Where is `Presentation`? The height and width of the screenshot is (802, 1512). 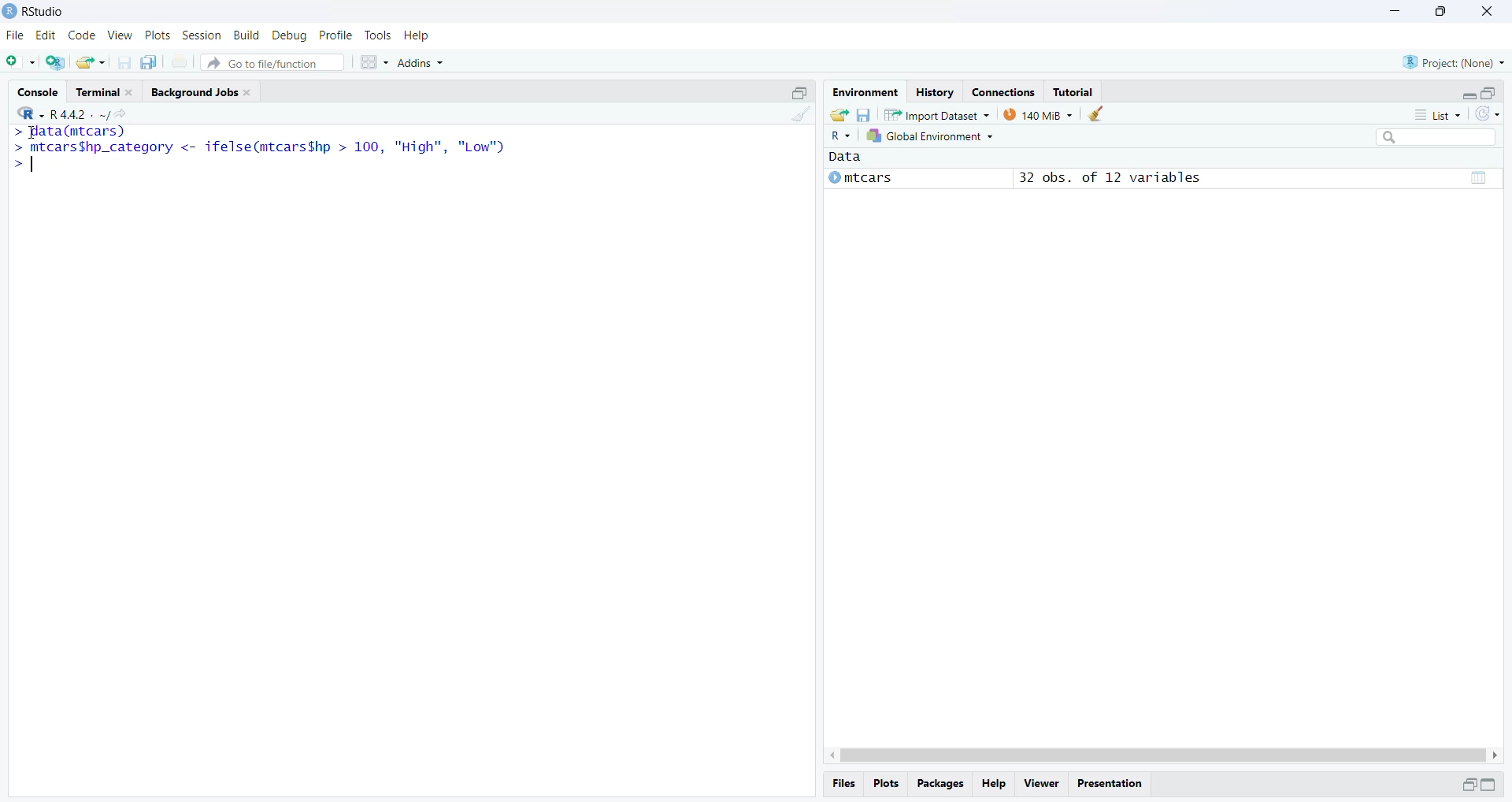
Presentation is located at coordinates (1114, 782).